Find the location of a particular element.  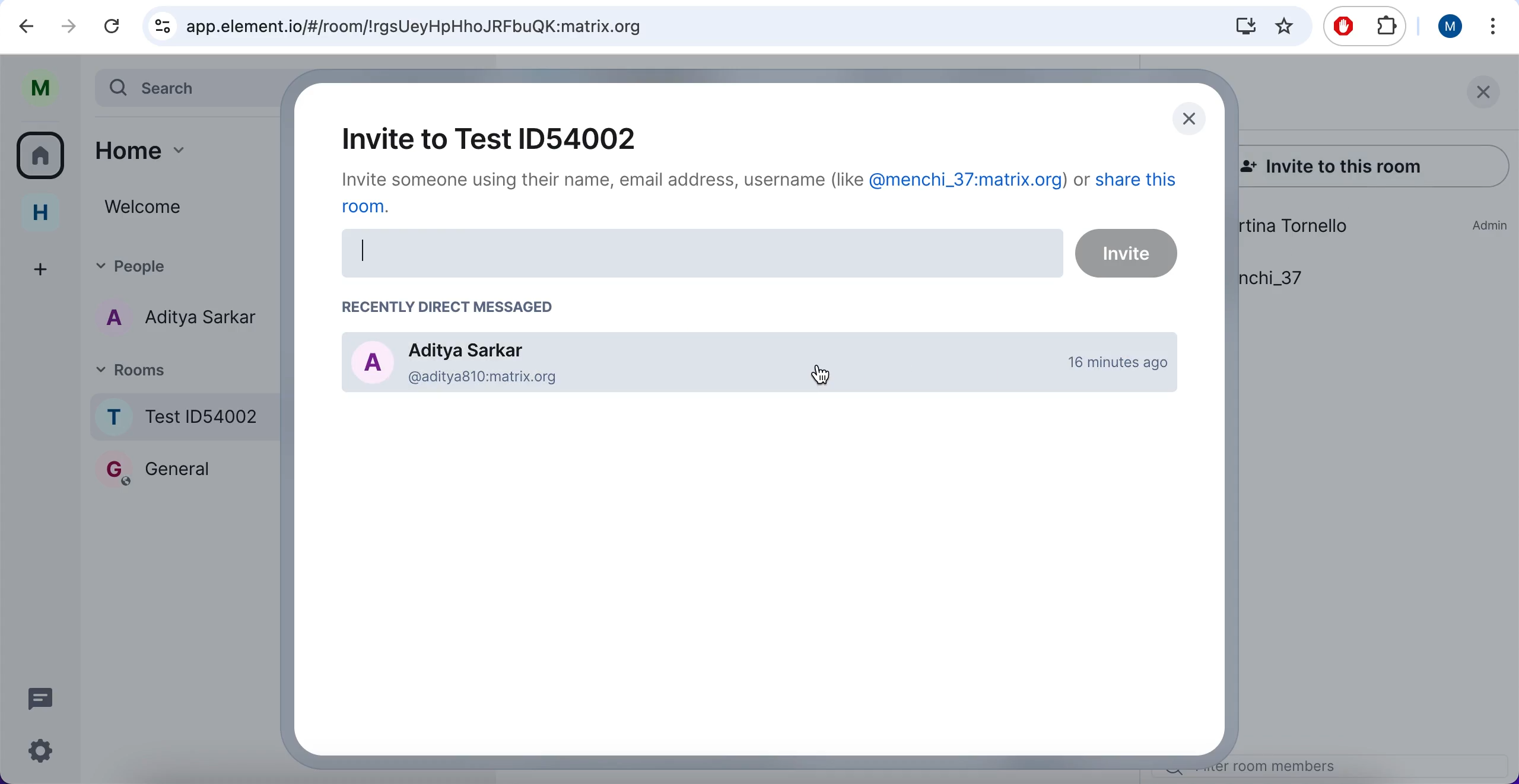

welcome is located at coordinates (186, 206).